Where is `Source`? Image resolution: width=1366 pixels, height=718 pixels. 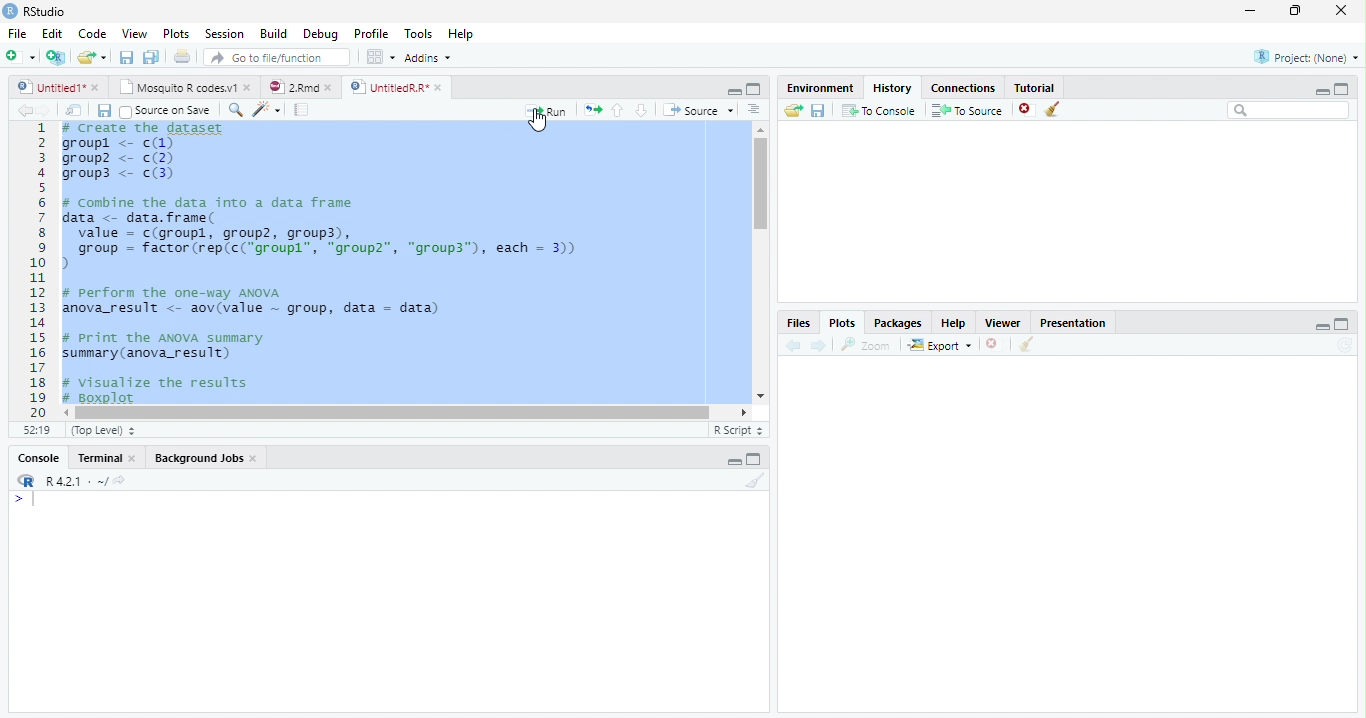 Source is located at coordinates (700, 111).